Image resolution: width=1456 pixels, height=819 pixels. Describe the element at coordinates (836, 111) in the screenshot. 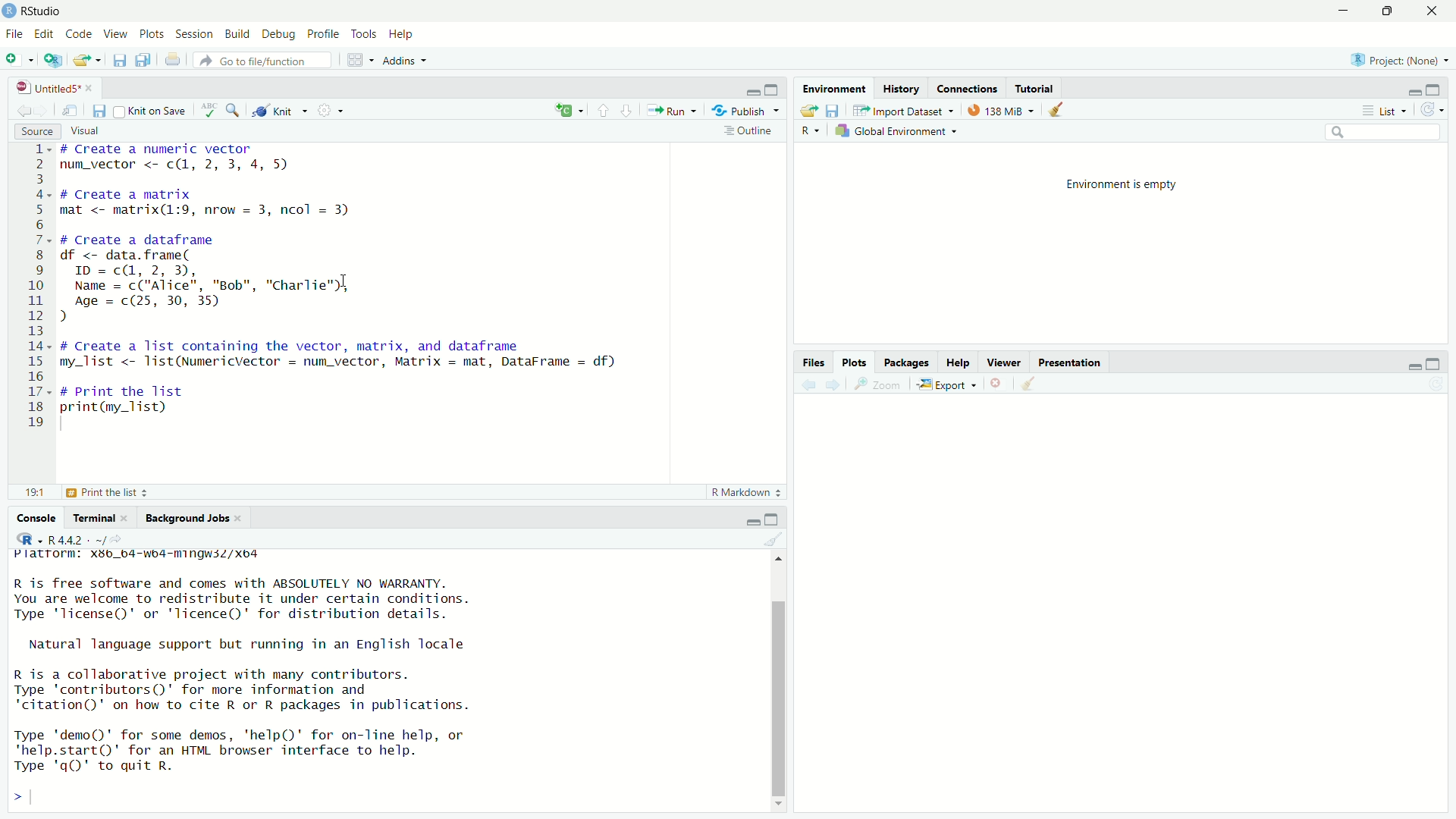

I see `files` at that location.